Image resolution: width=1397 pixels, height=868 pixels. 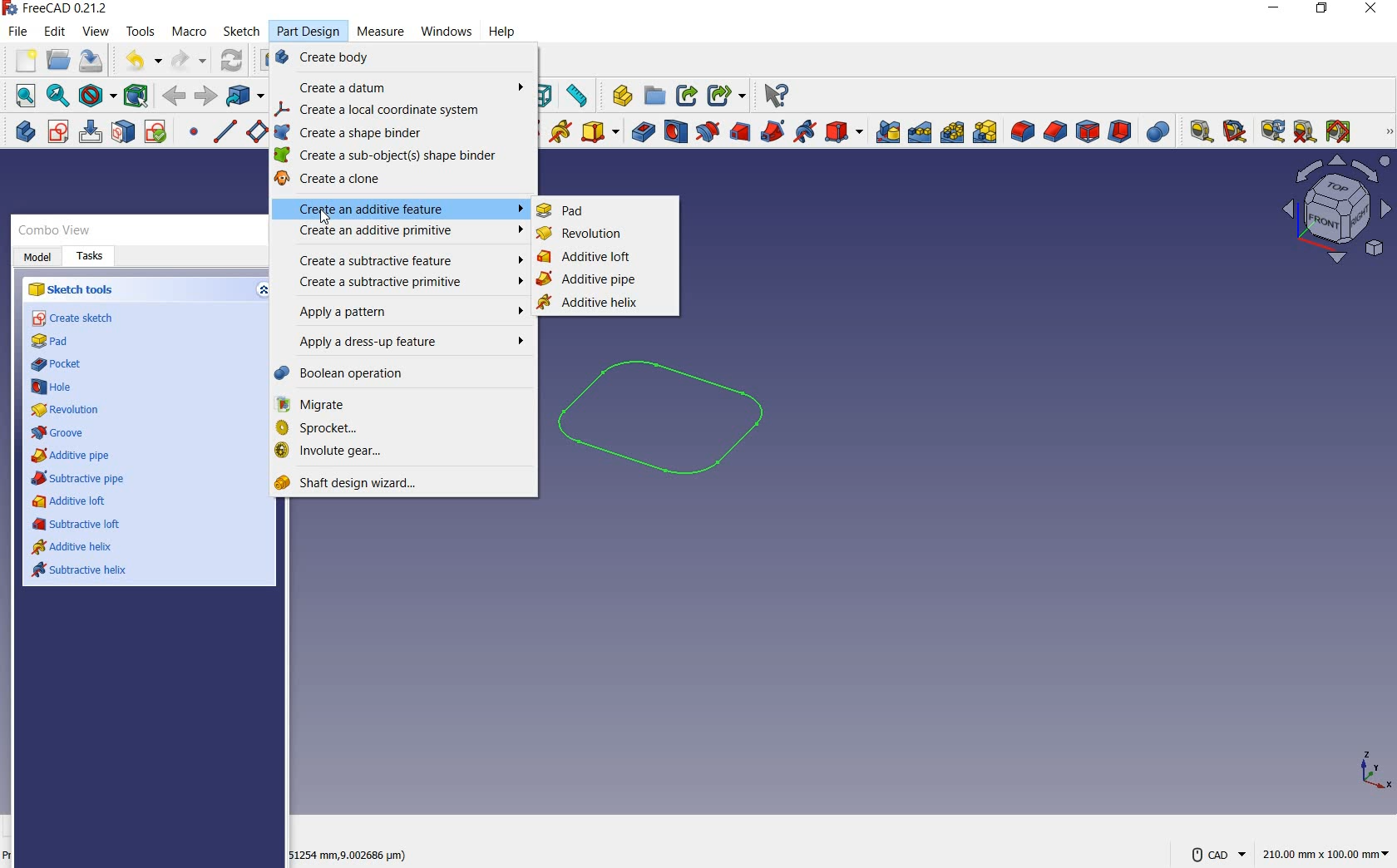 I want to click on open, so click(x=57, y=61).